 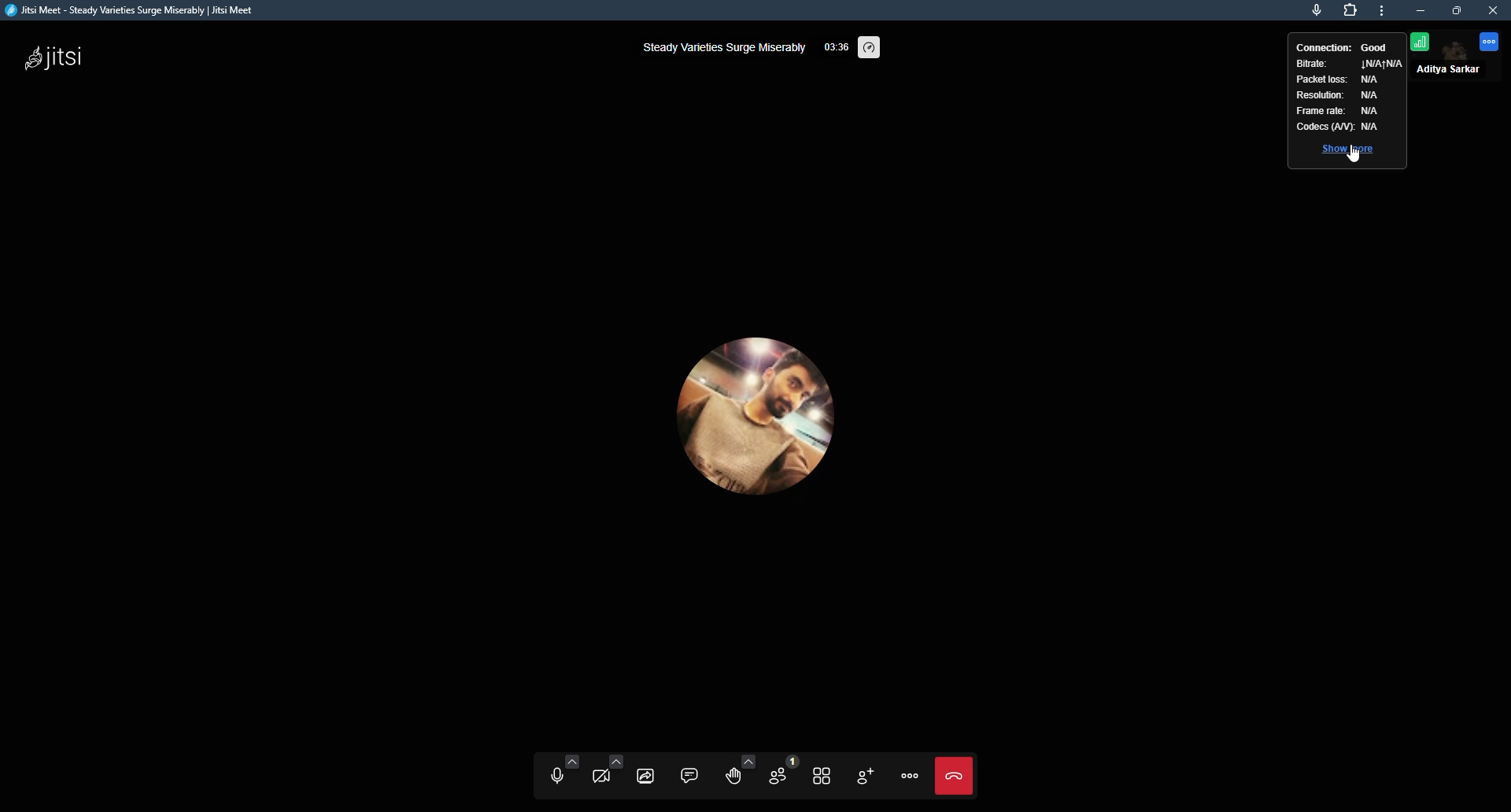 I want to click on profile, so click(x=1453, y=72).